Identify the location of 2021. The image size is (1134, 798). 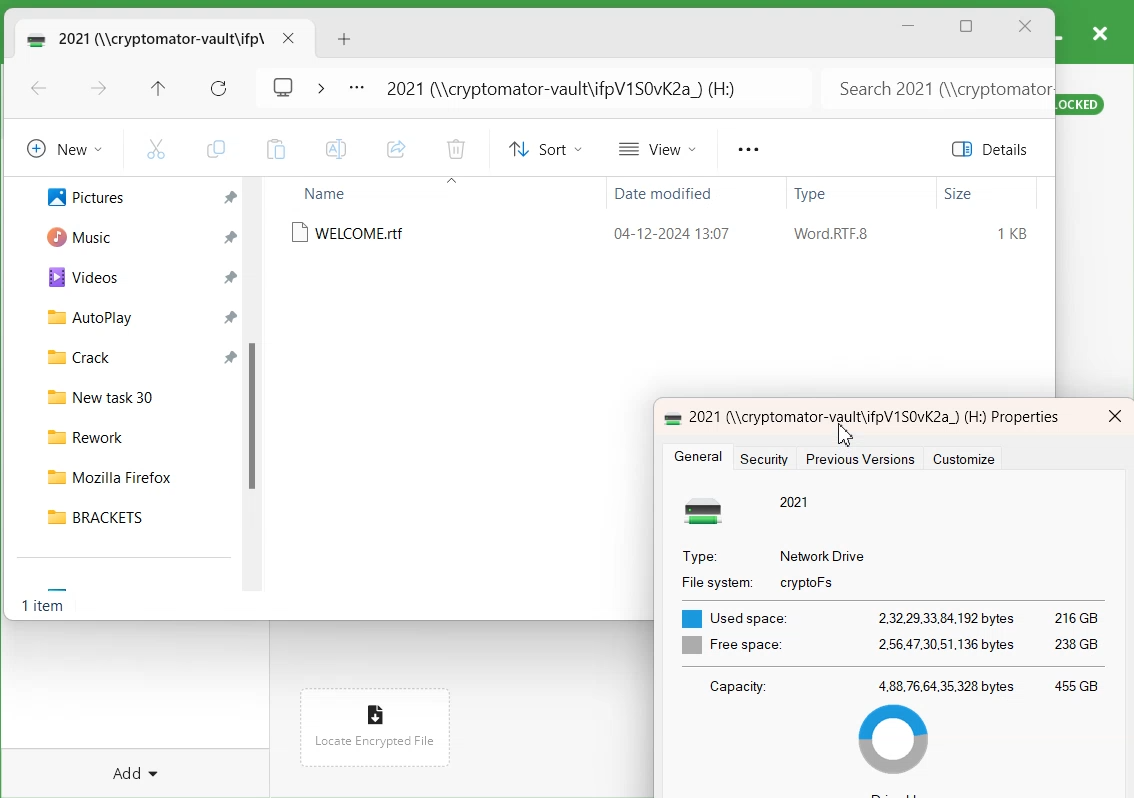
(795, 501).